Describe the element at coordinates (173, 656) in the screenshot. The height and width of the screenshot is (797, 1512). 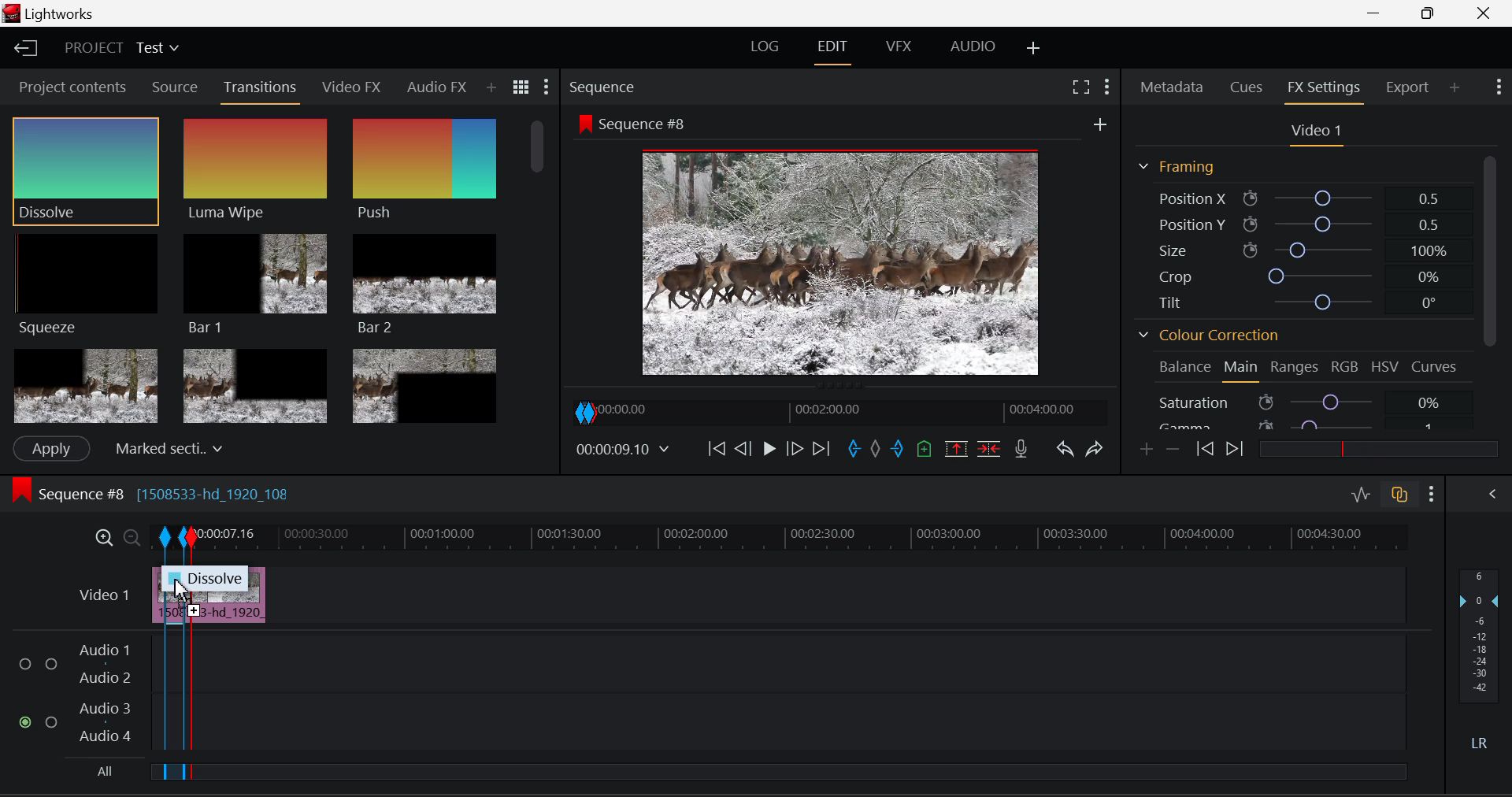
I see `Segment Created with In and Out` at that location.